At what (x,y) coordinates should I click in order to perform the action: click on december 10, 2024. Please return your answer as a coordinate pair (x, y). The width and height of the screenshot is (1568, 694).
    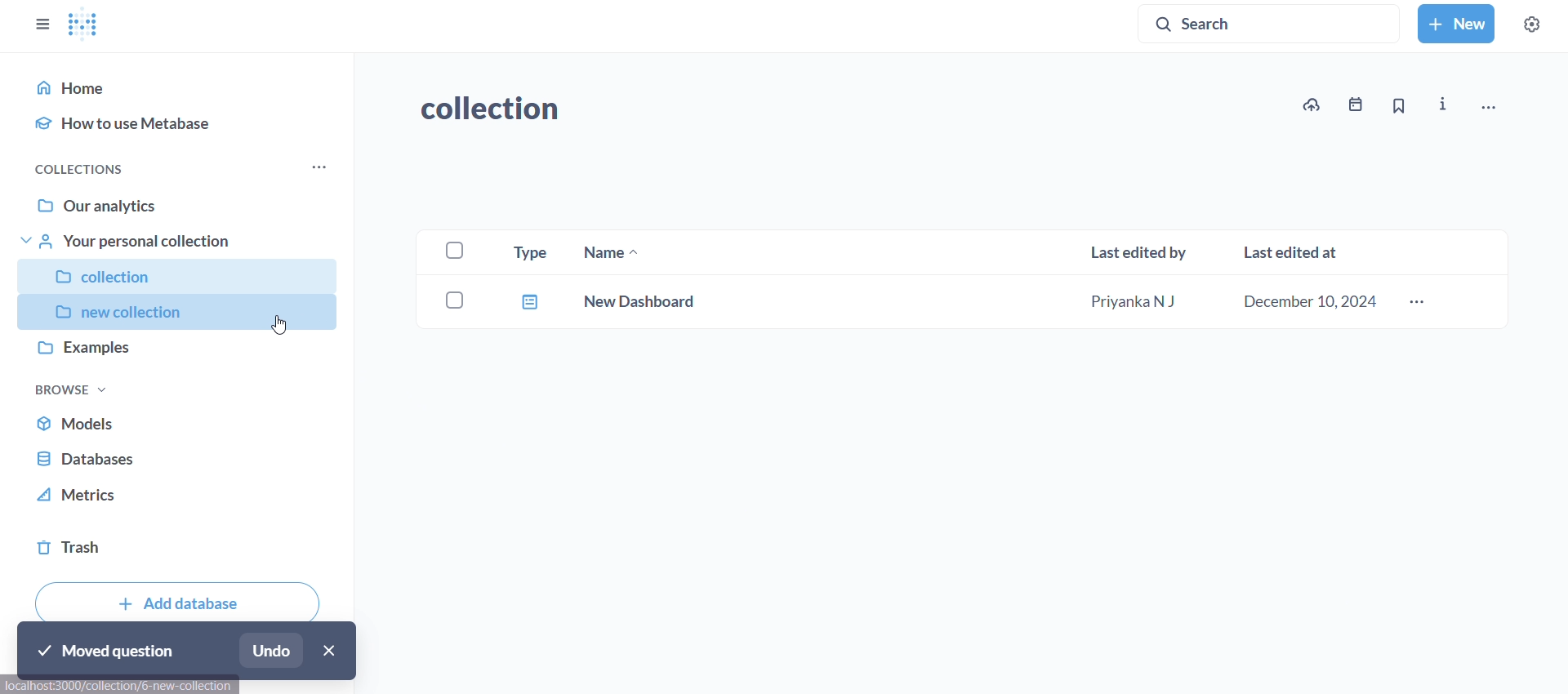
    Looking at the image, I should click on (1315, 304).